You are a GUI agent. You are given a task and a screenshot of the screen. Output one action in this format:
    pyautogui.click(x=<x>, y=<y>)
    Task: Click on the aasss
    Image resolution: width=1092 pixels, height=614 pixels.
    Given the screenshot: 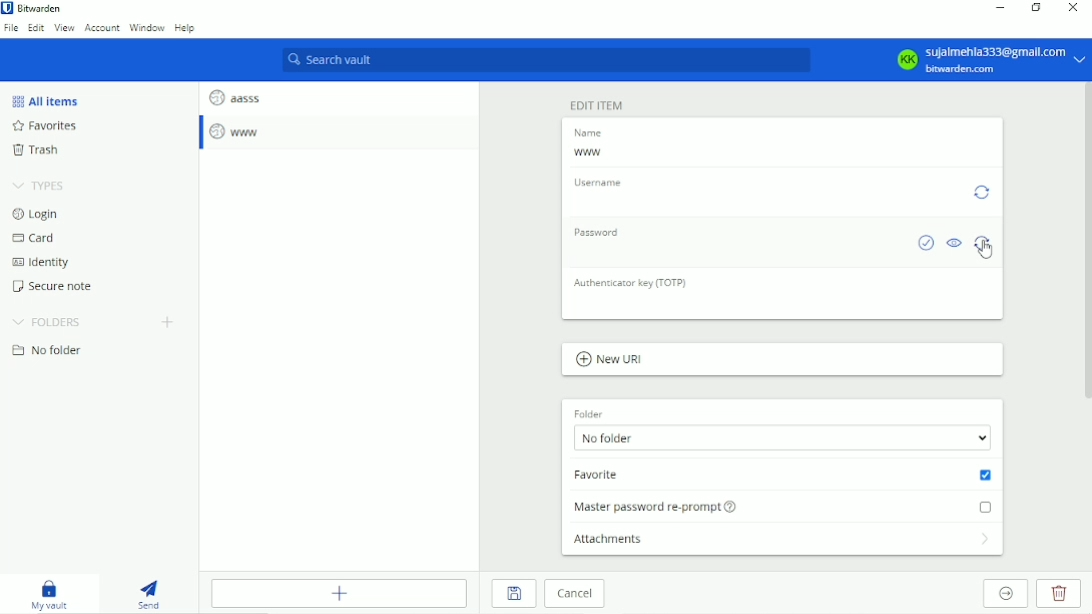 What is the action you would take?
    pyautogui.click(x=234, y=95)
    